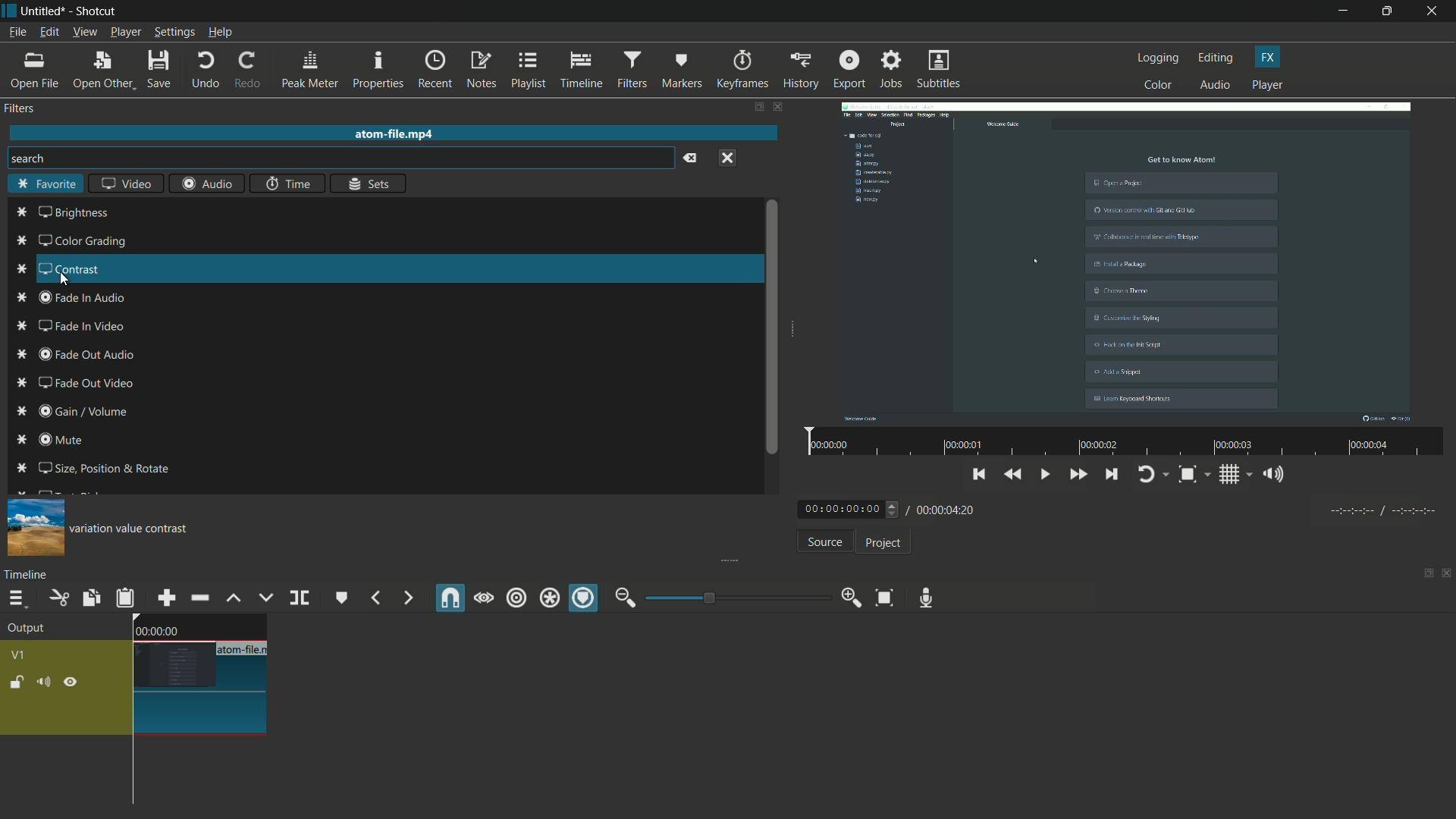  Describe the element at coordinates (309, 70) in the screenshot. I see `peak meter` at that location.